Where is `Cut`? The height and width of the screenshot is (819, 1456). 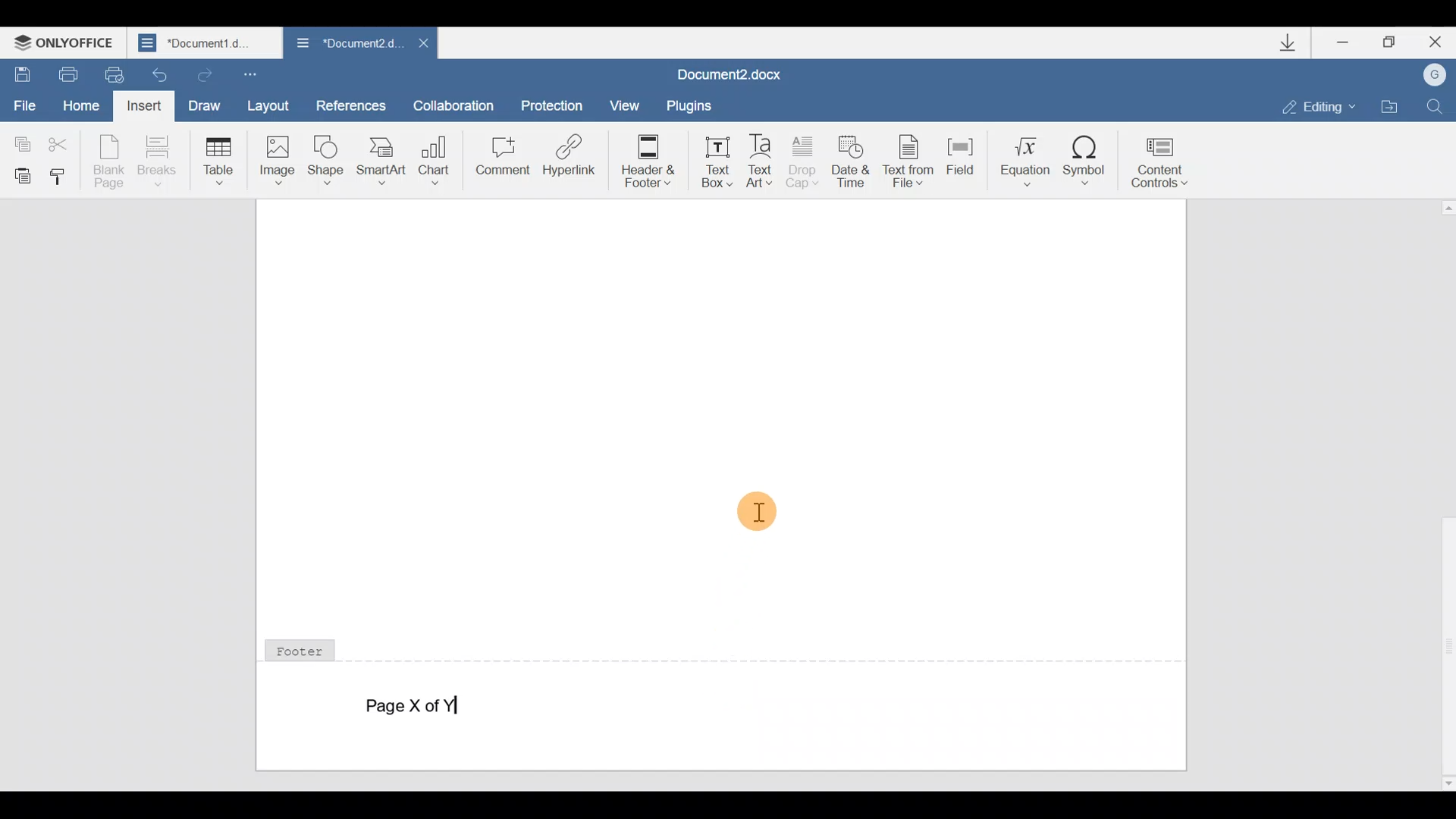
Cut is located at coordinates (62, 145).